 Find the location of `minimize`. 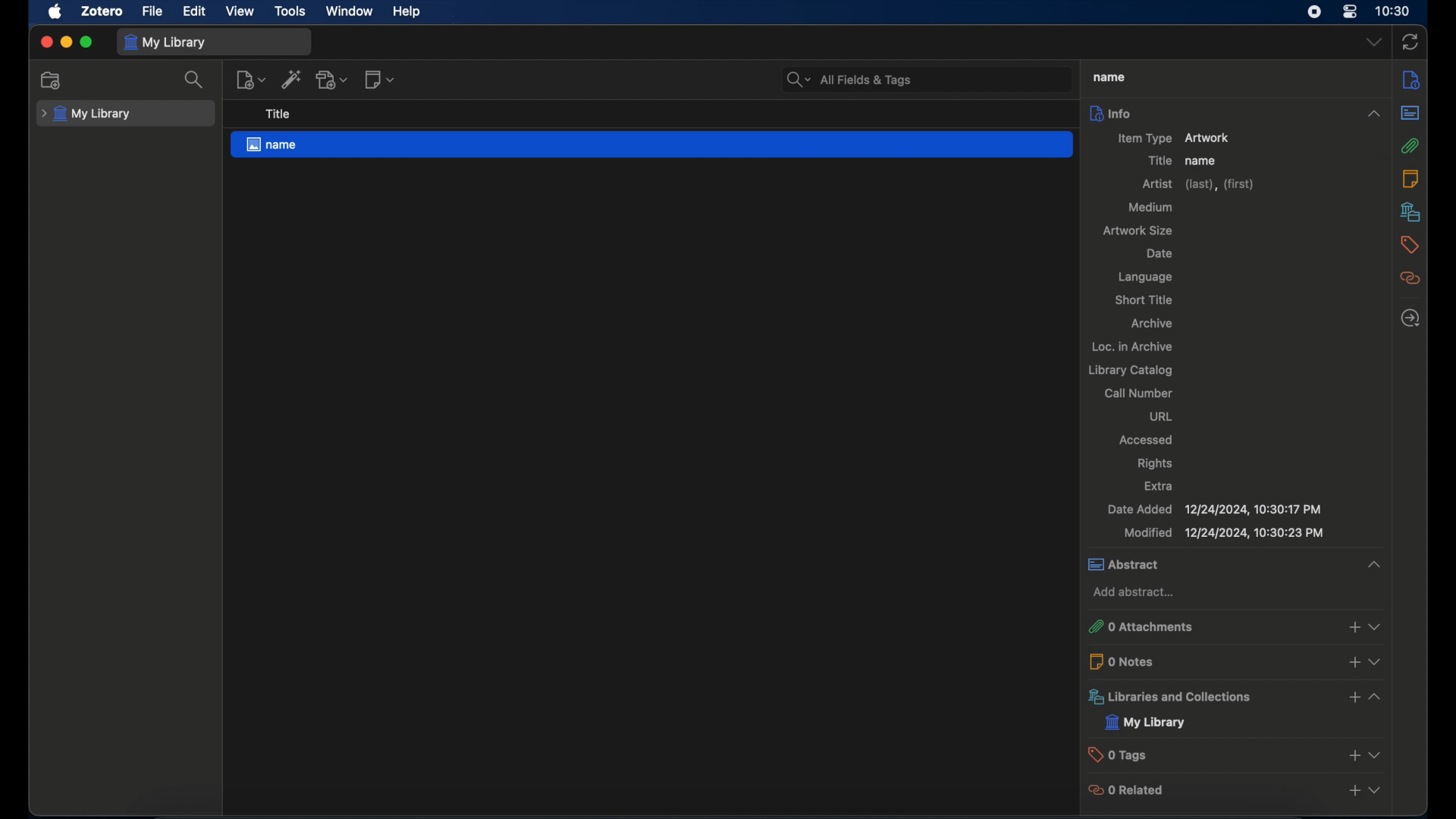

minimize is located at coordinates (65, 42).